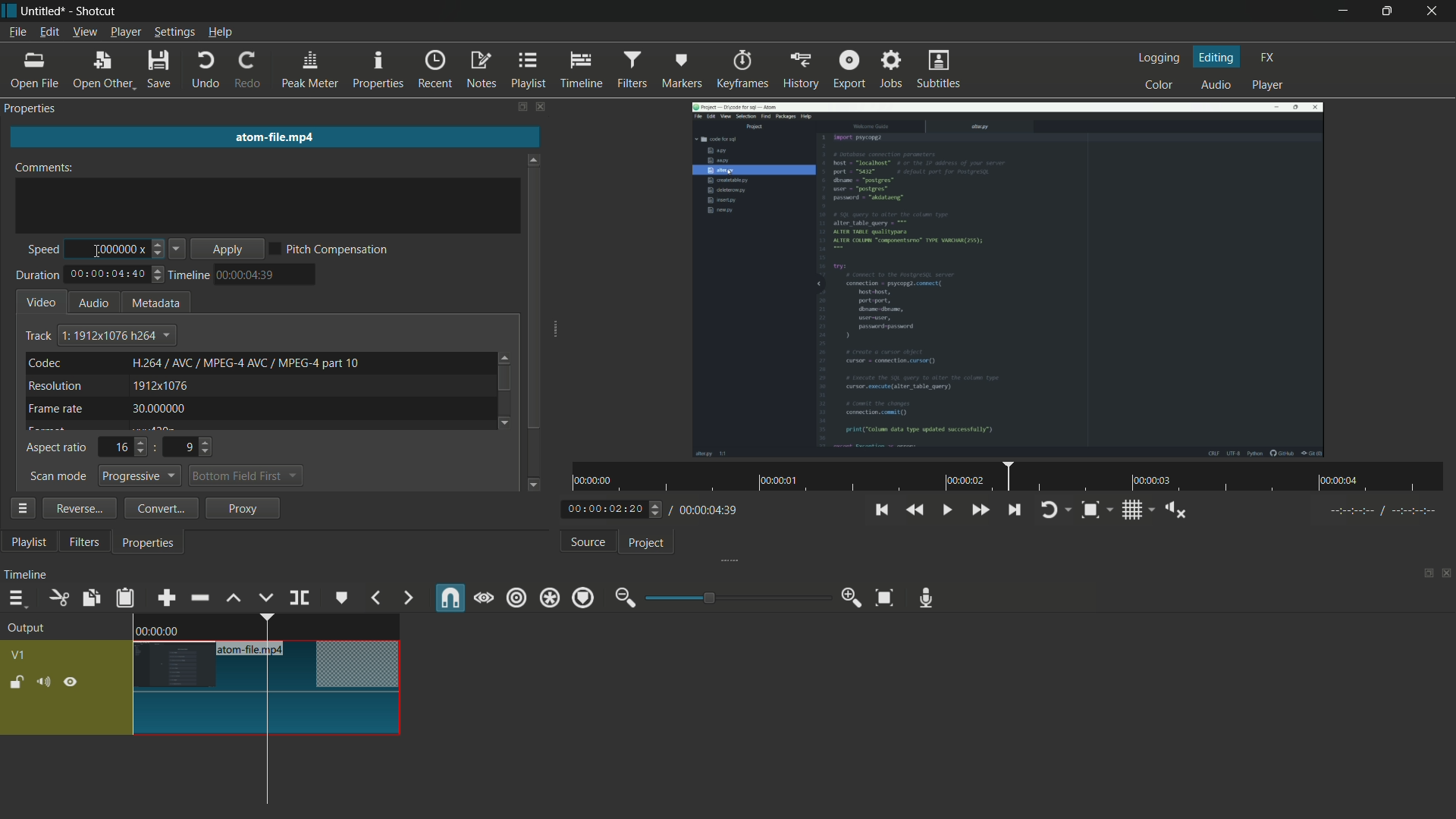  What do you see at coordinates (158, 256) in the screenshot?
I see `decrease` at bounding box center [158, 256].